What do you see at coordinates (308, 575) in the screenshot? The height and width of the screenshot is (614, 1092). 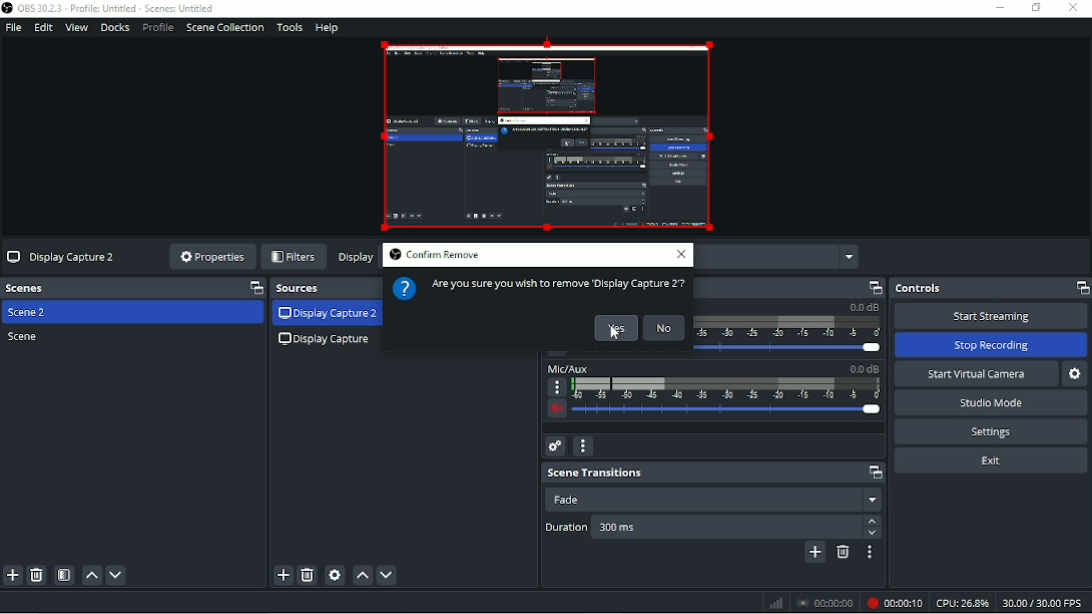 I see `Remove selected source(s)` at bounding box center [308, 575].